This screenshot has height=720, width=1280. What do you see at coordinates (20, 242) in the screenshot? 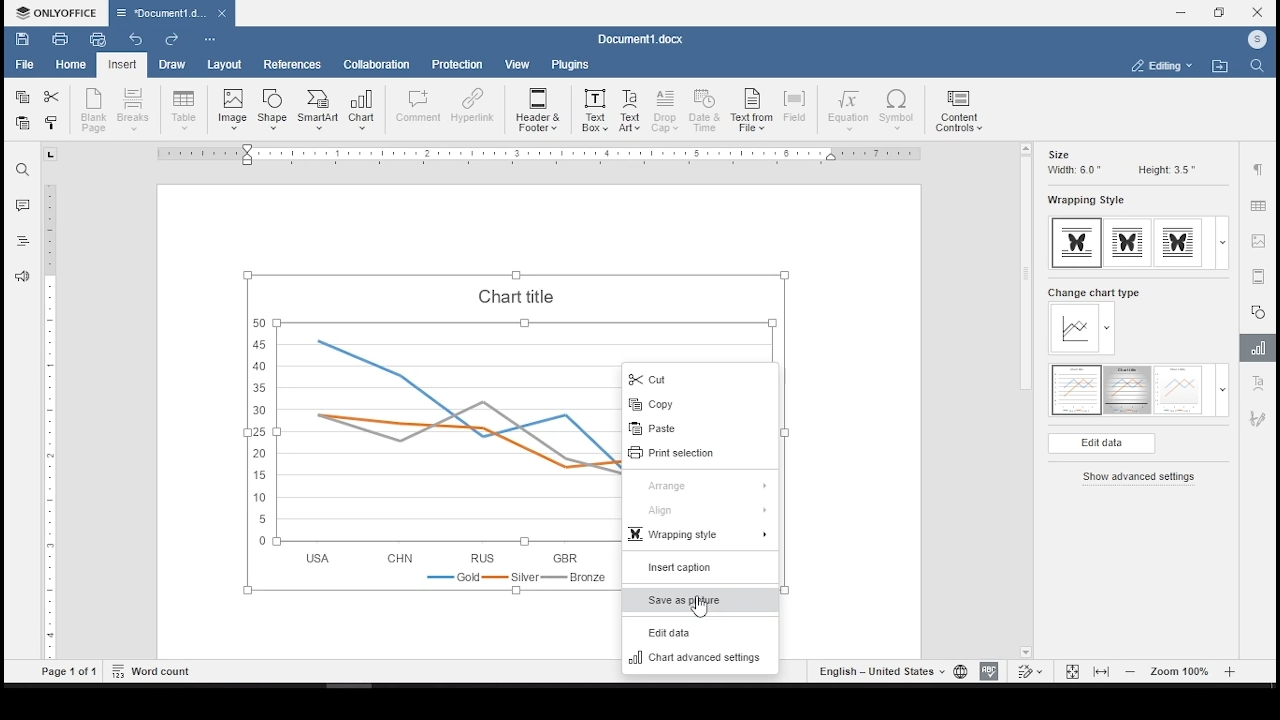
I see `headings` at bounding box center [20, 242].